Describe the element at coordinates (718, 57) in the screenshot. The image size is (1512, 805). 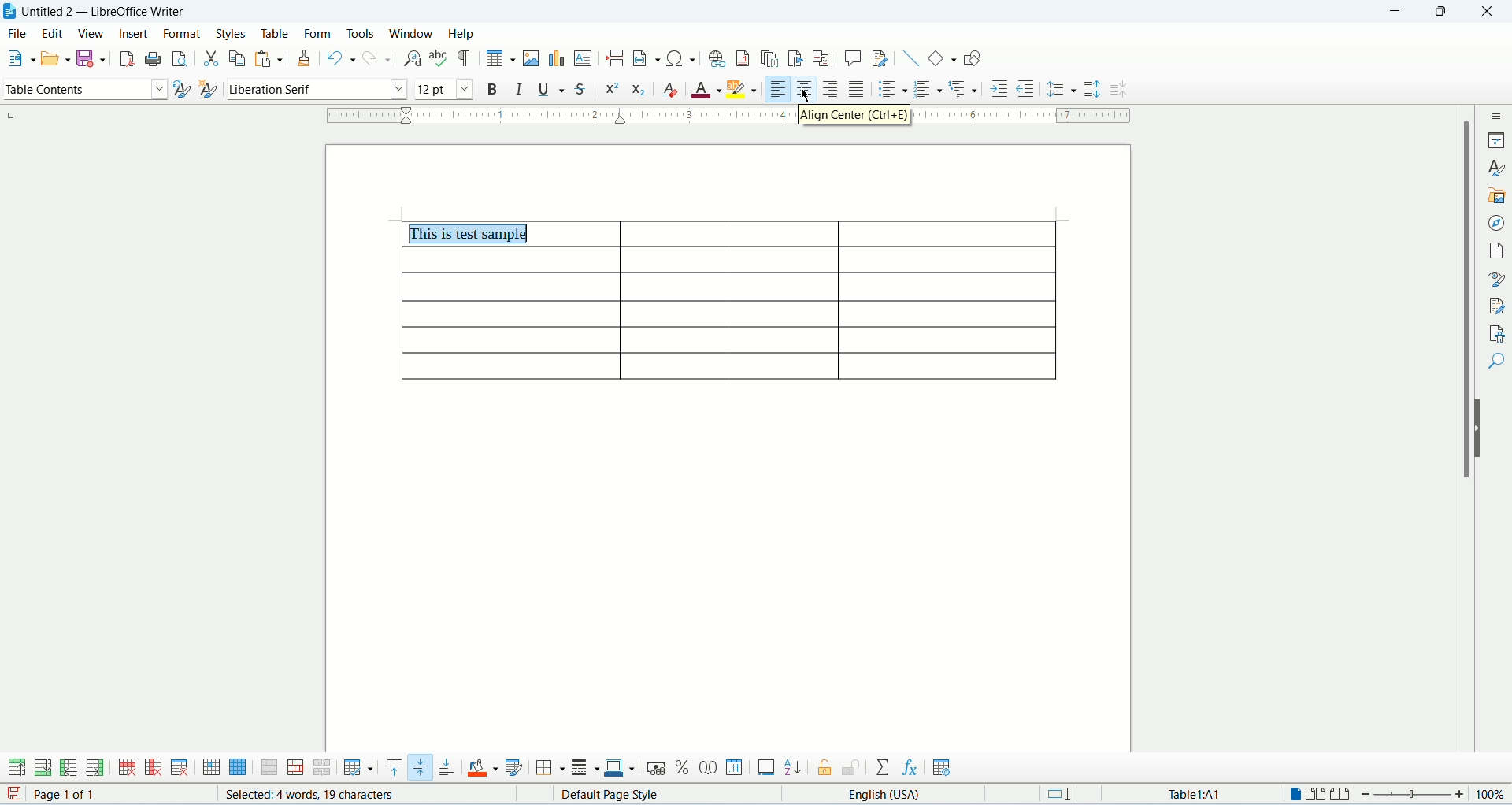
I see `insert hyperlink` at that location.